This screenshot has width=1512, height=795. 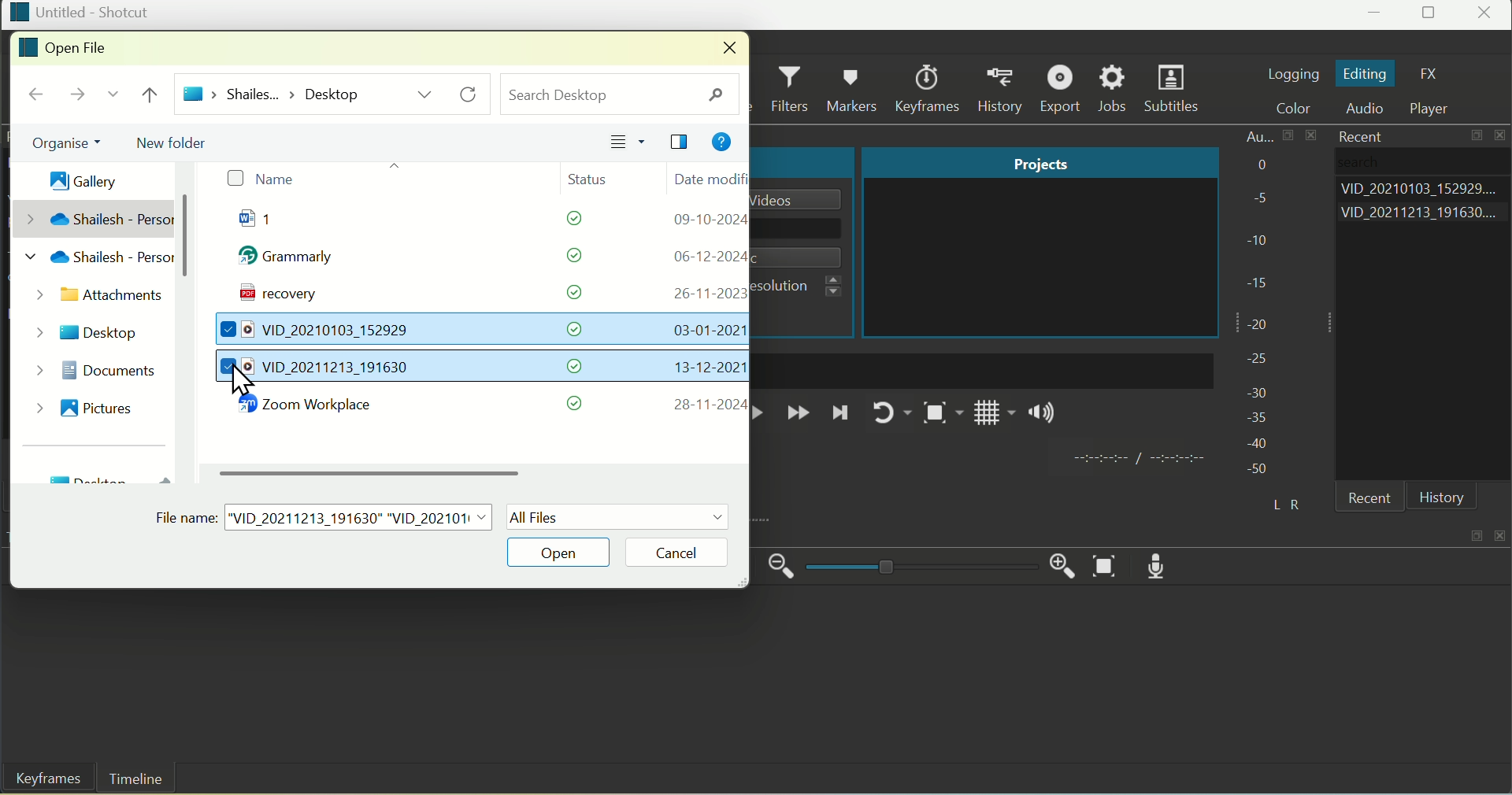 What do you see at coordinates (628, 142) in the screenshot?
I see `View as` at bounding box center [628, 142].